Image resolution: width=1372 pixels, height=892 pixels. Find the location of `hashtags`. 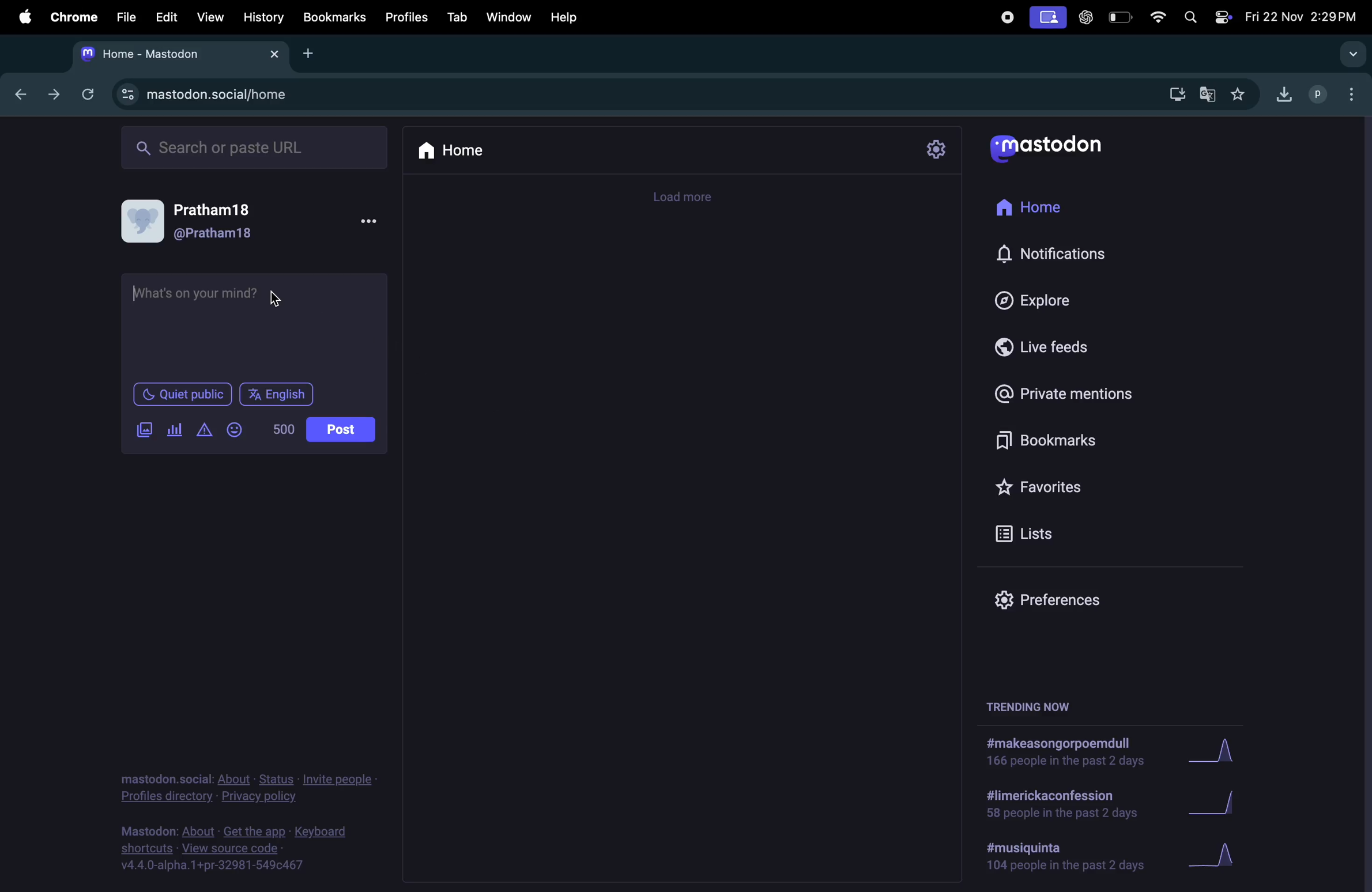

hashtags is located at coordinates (1066, 805).